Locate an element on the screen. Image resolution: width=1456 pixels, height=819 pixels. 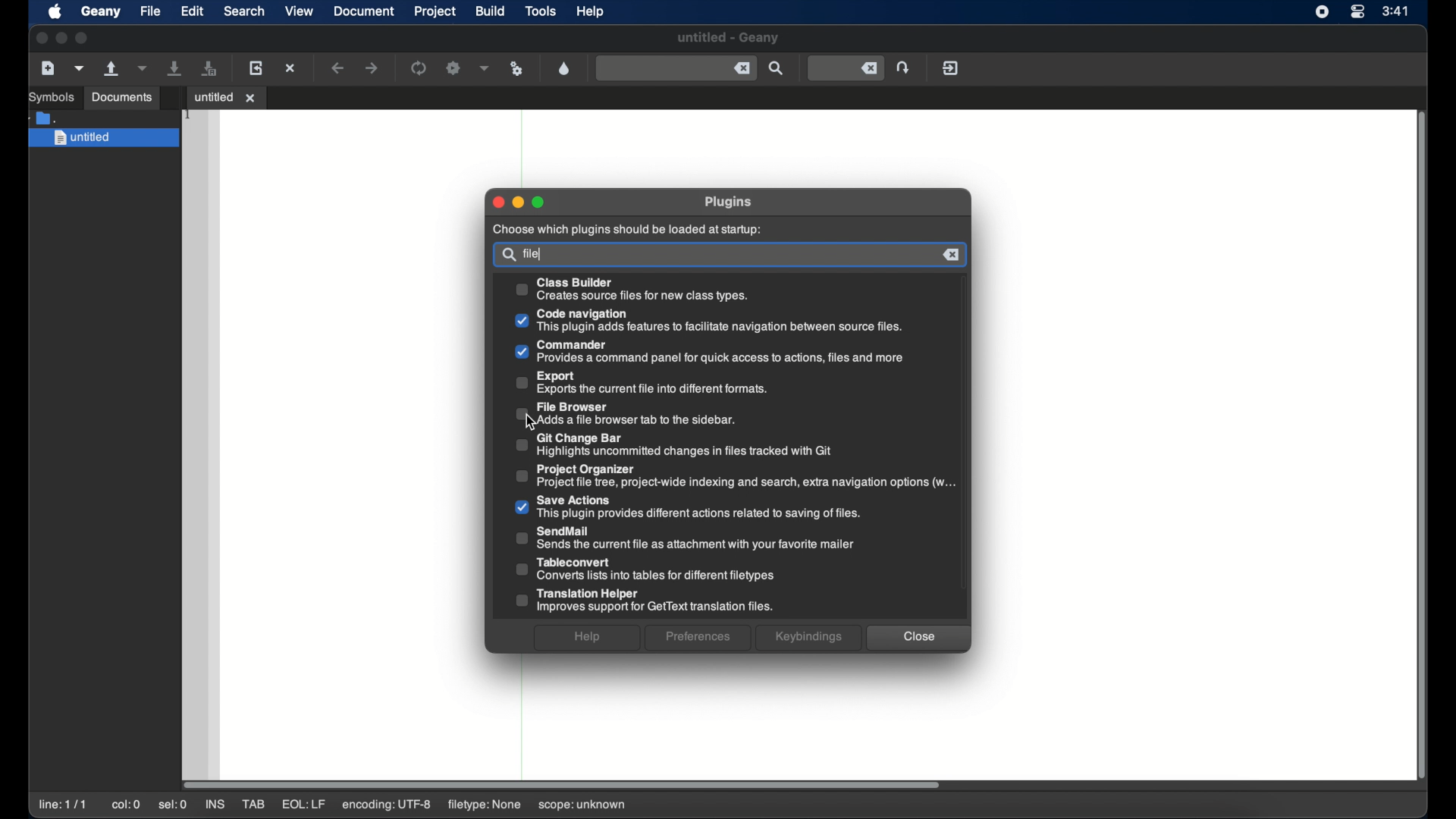
navigate back a location is located at coordinates (339, 68).